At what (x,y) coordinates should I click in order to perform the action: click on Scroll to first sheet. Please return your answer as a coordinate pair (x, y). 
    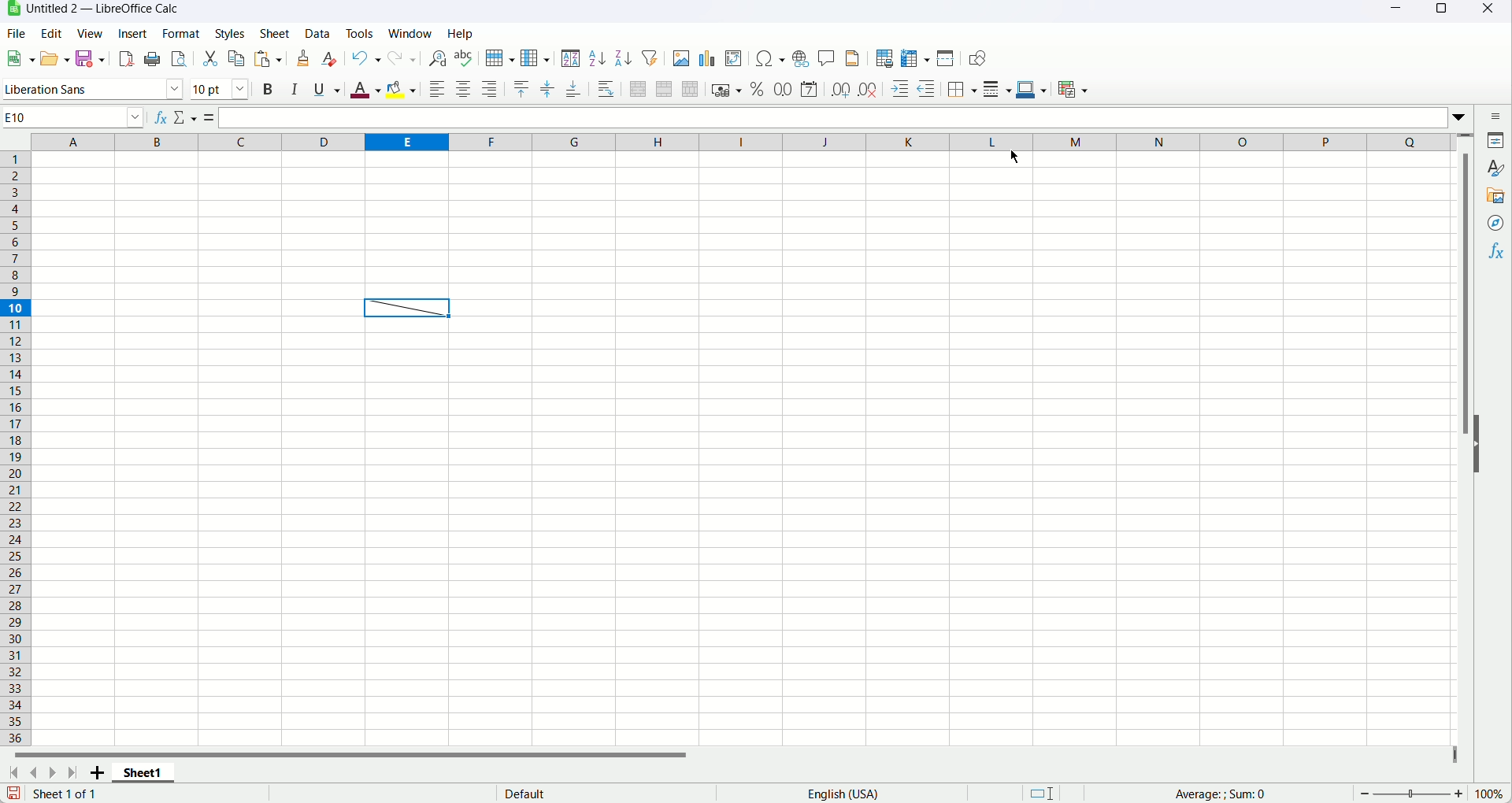
    Looking at the image, I should click on (13, 774).